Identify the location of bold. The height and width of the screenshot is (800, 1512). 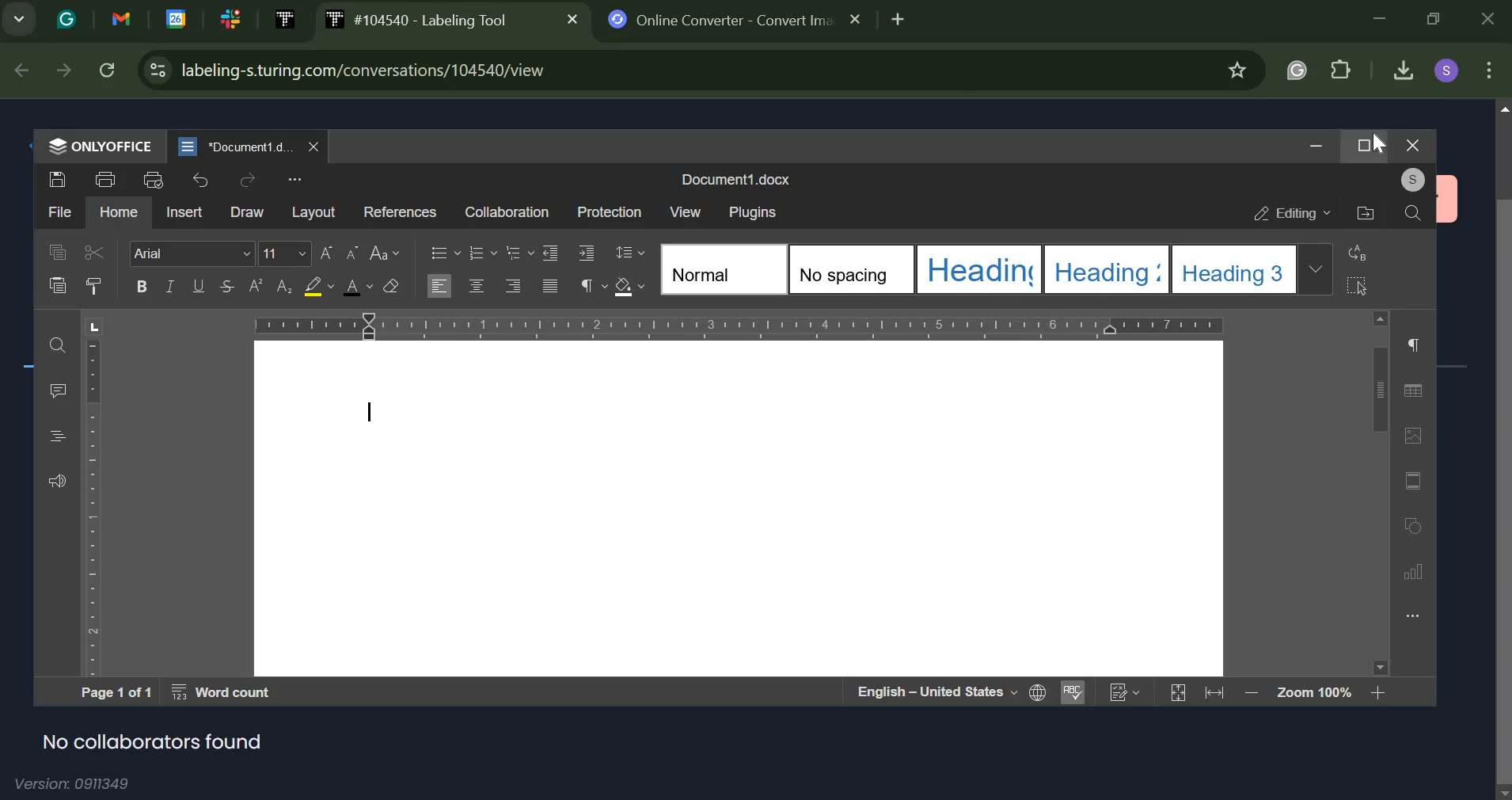
(141, 286).